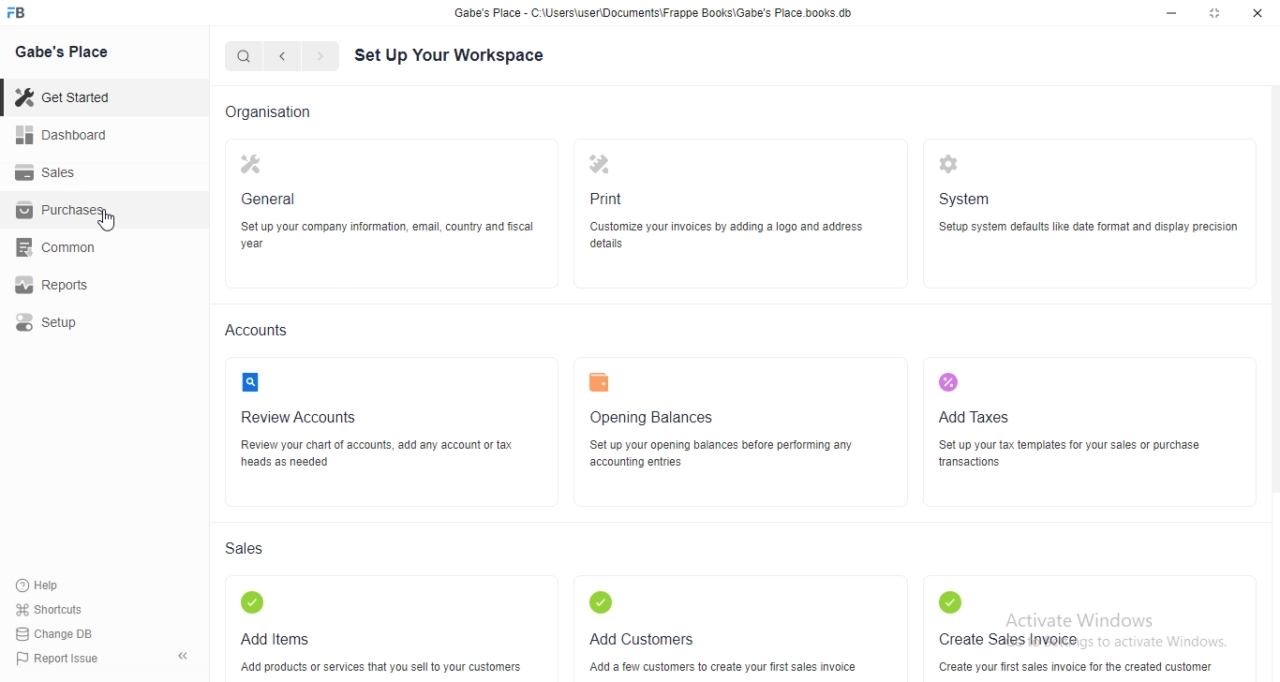 This screenshot has width=1280, height=682. I want to click on Gabe's Place, so click(61, 51).